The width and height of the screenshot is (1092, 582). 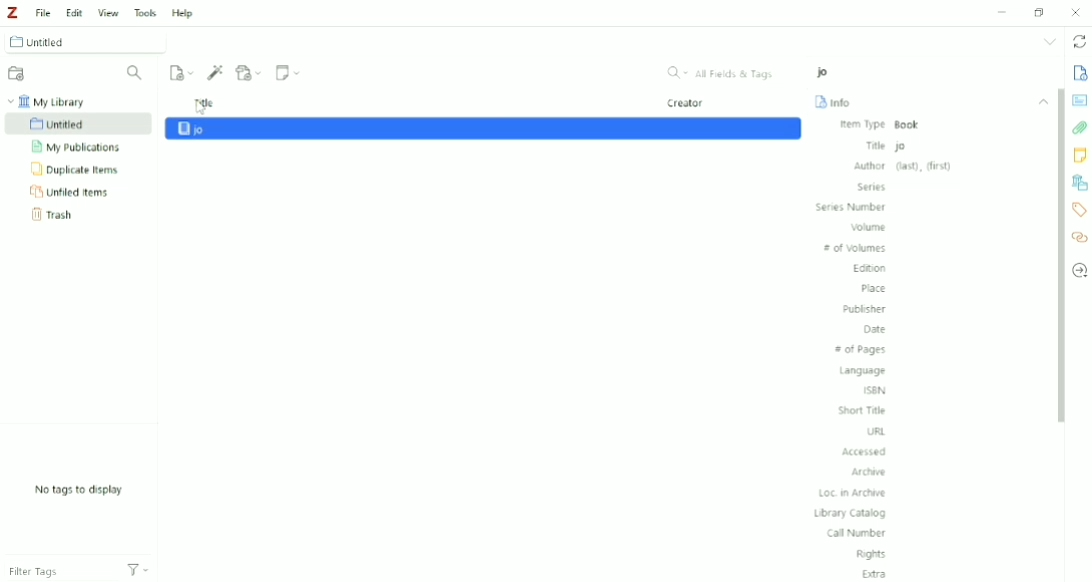 What do you see at coordinates (860, 350) in the screenshot?
I see `# of Pages` at bounding box center [860, 350].